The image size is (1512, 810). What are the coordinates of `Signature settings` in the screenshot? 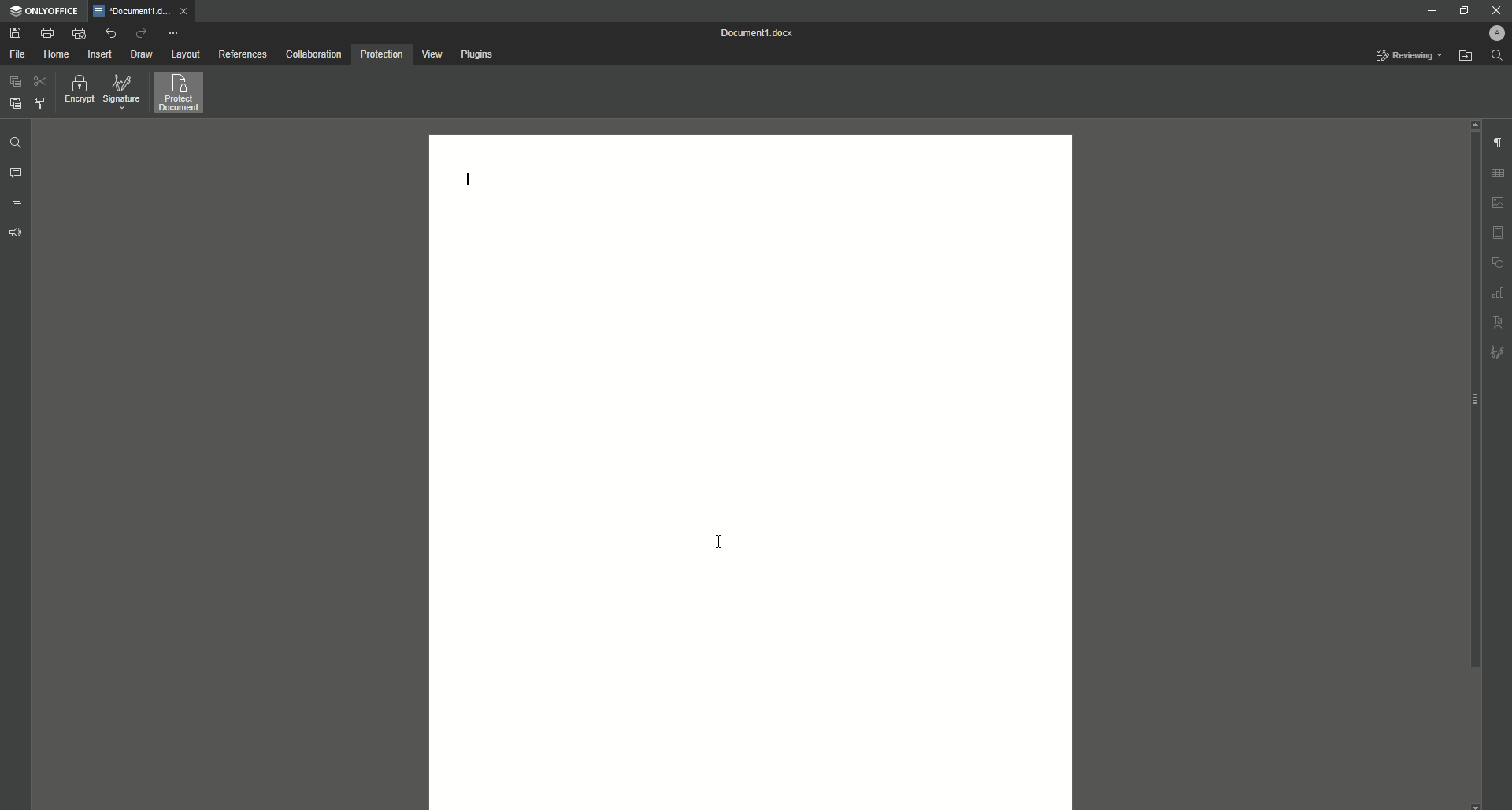 It's located at (1499, 354).